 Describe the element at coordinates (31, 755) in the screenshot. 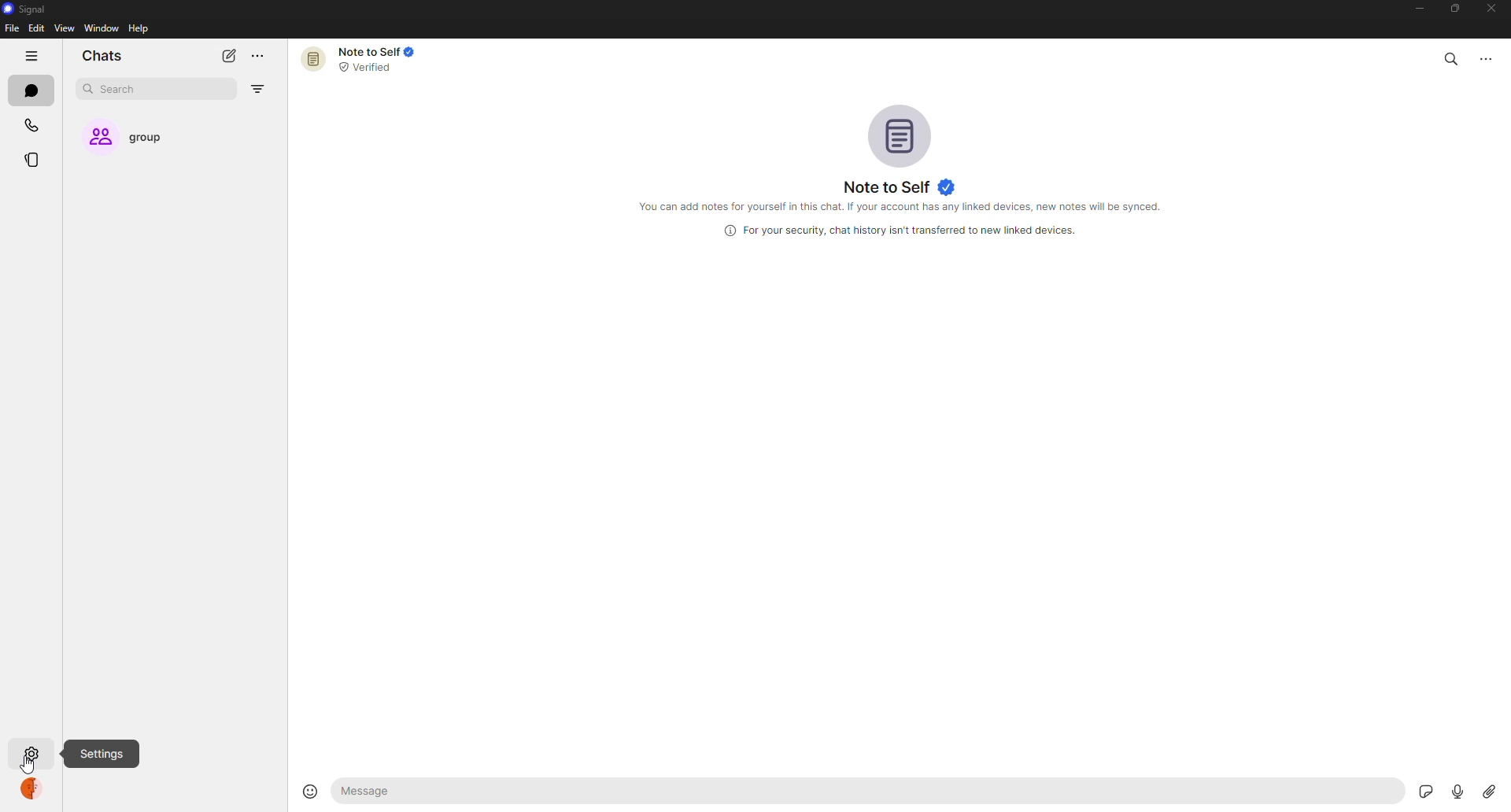

I see `settings` at that location.